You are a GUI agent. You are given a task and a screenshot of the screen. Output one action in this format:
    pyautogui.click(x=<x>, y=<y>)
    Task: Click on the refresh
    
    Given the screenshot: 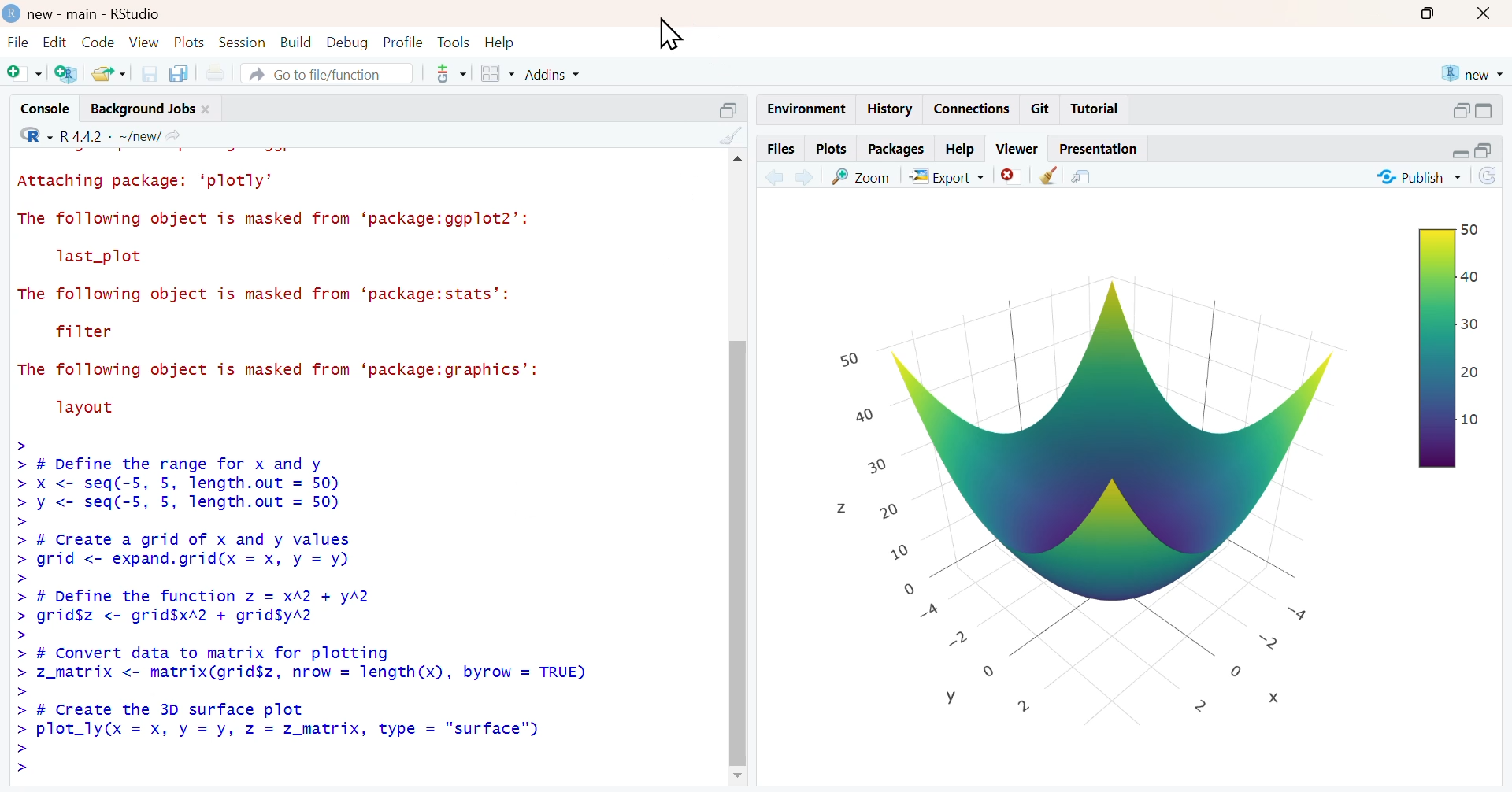 What is the action you would take?
    pyautogui.click(x=1496, y=176)
    